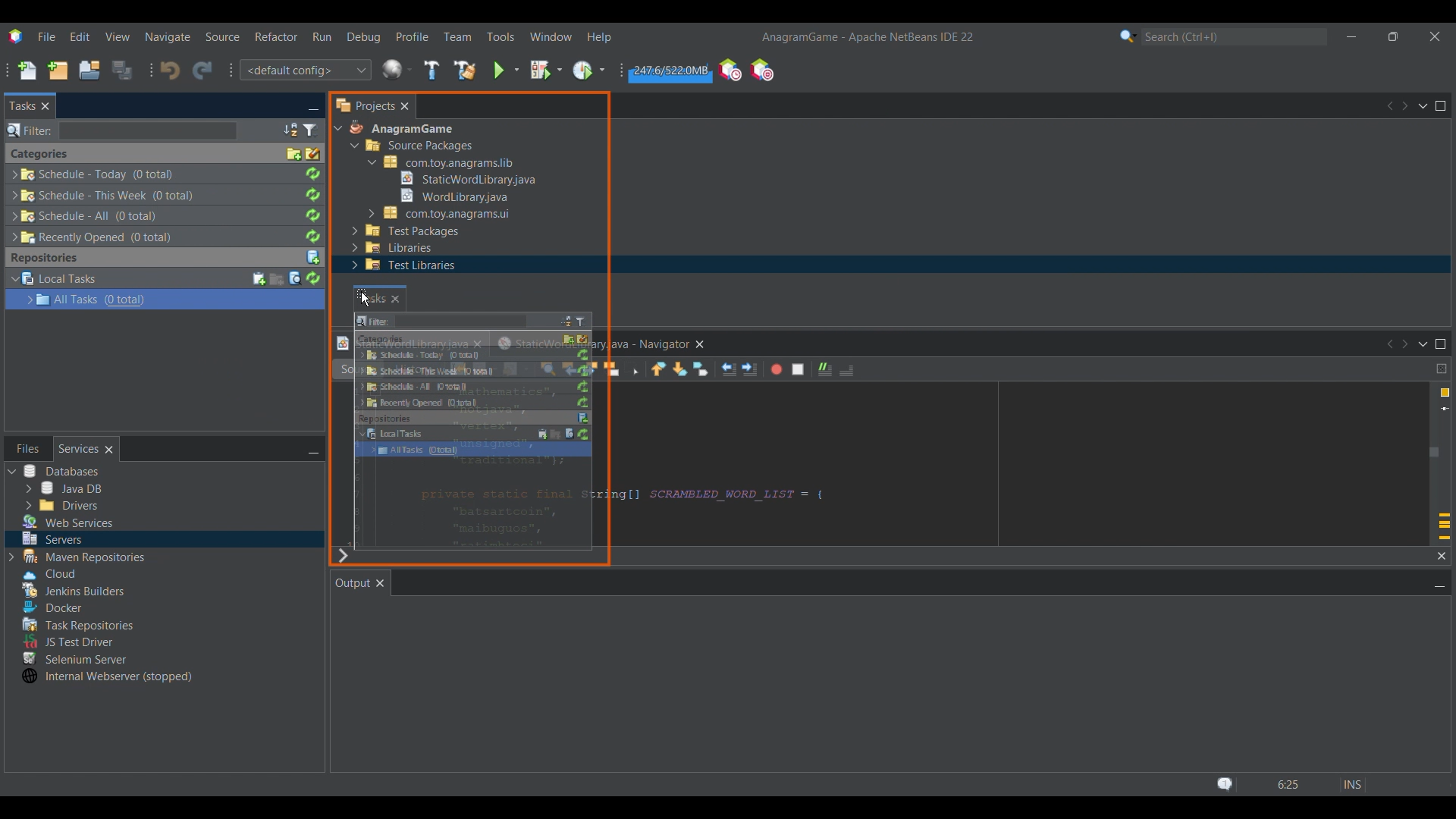  Describe the element at coordinates (632, 369) in the screenshot. I see `Toggle rectangular selection` at that location.